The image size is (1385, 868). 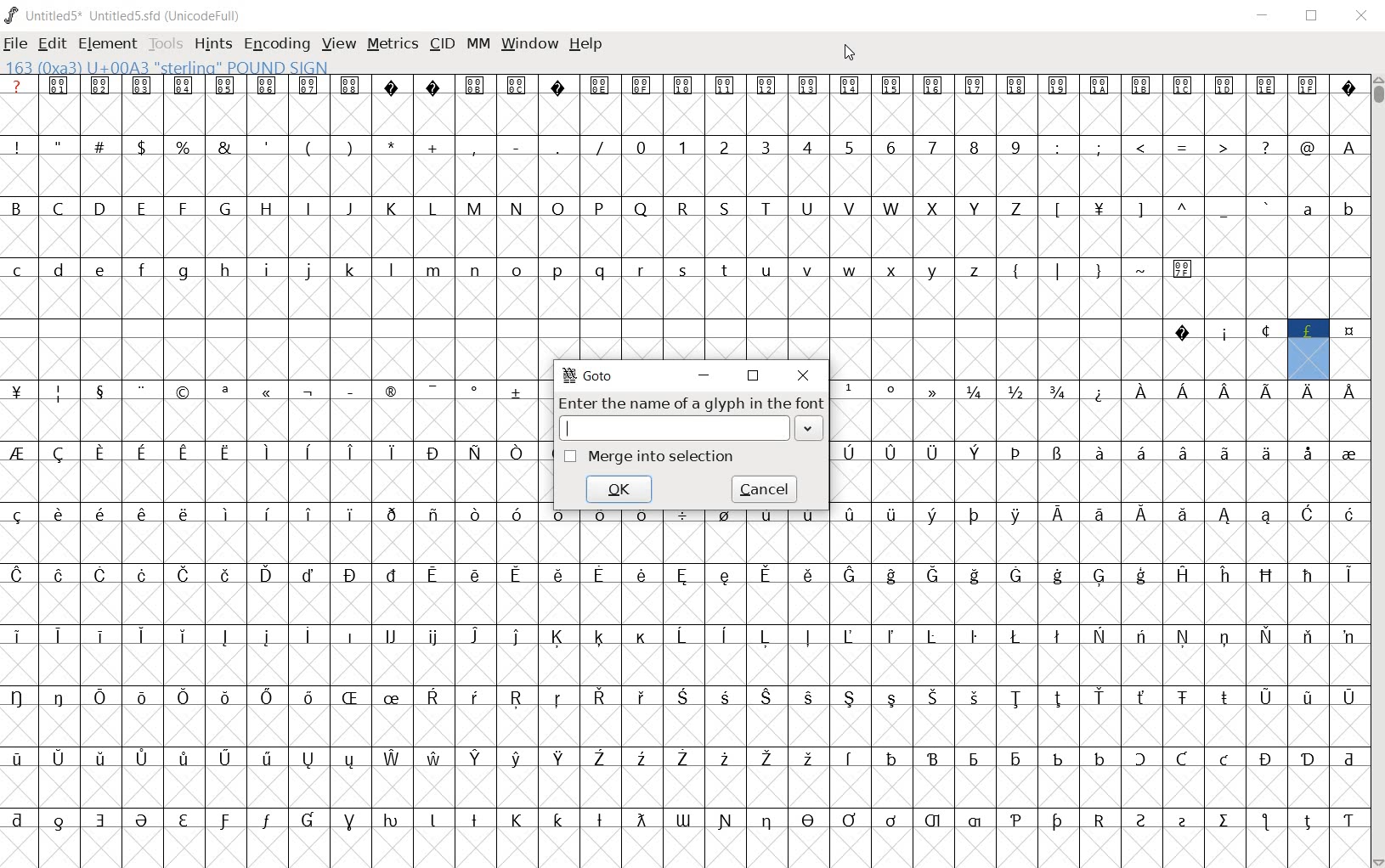 What do you see at coordinates (647, 455) in the screenshot?
I see `Merge into selection` at bounding box center [647, 455].